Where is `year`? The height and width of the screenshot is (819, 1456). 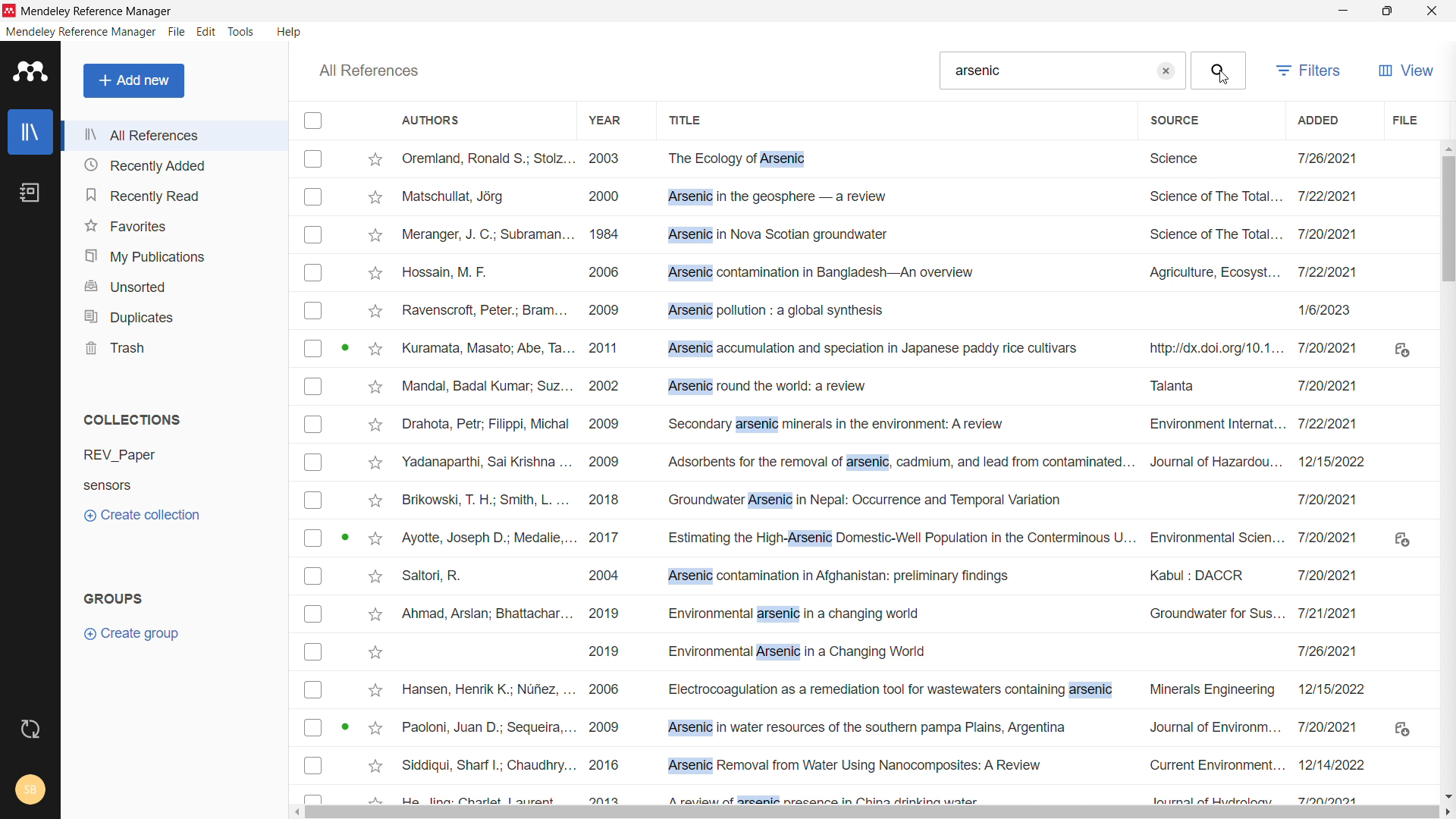
year is located at coordinates (608, 120).